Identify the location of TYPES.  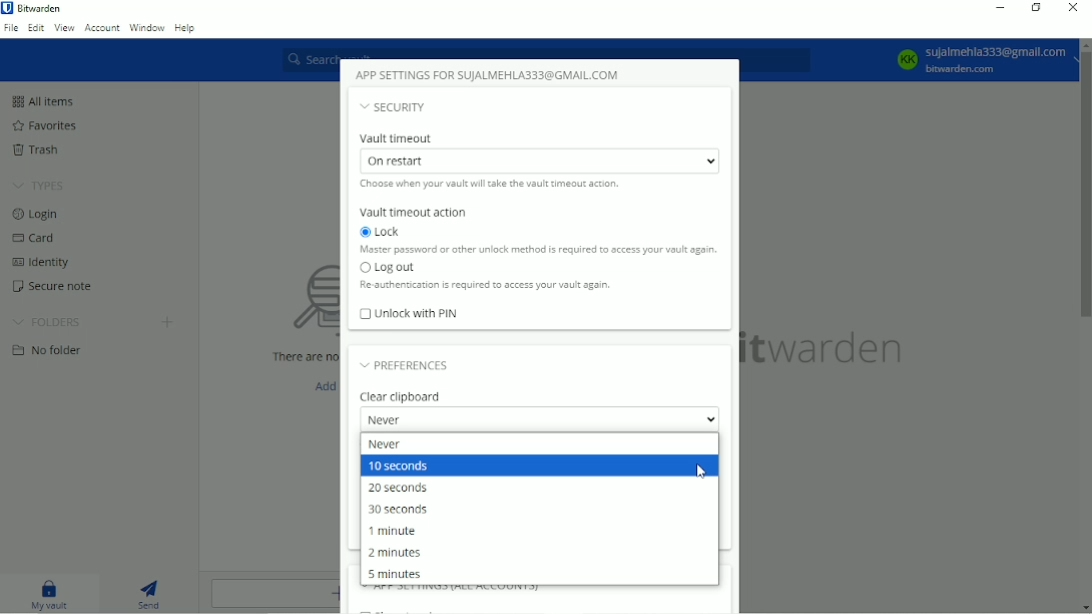
(47, 187).